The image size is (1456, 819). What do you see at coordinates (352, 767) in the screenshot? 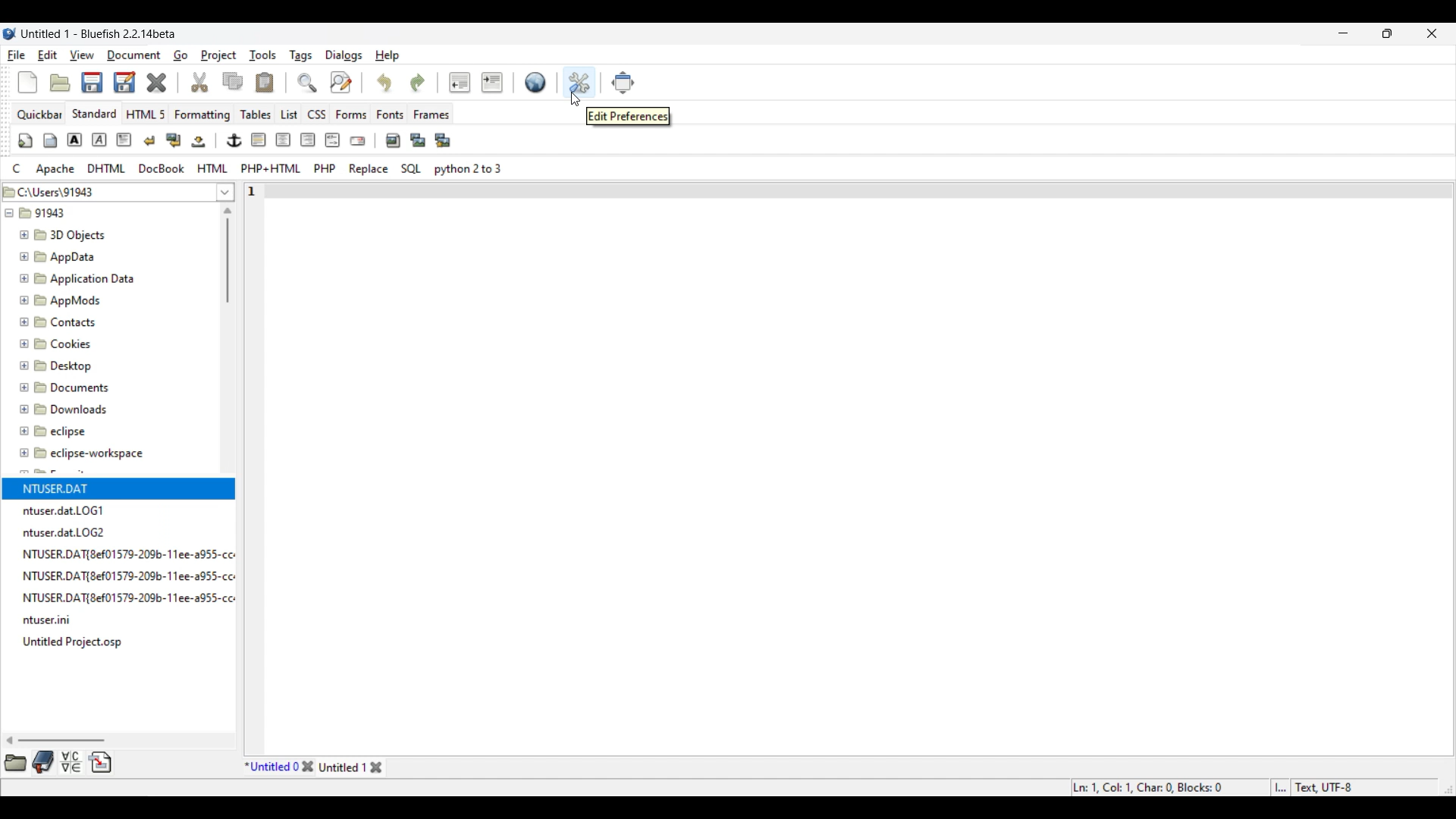
I see `Other tab` at bounding box center [352, 767].